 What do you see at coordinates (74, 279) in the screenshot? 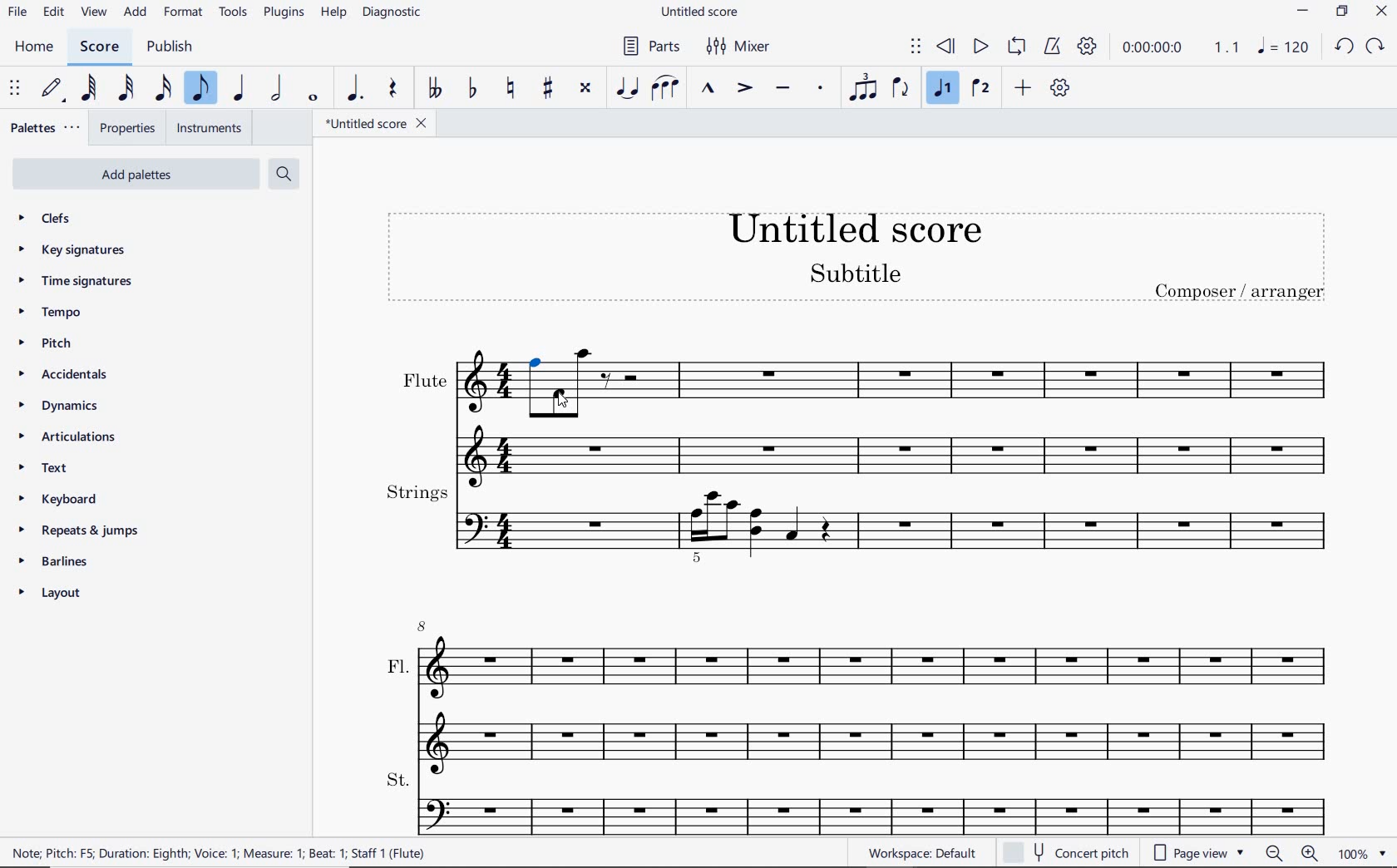
I see `time signatures` at bounding box center [74, 279].